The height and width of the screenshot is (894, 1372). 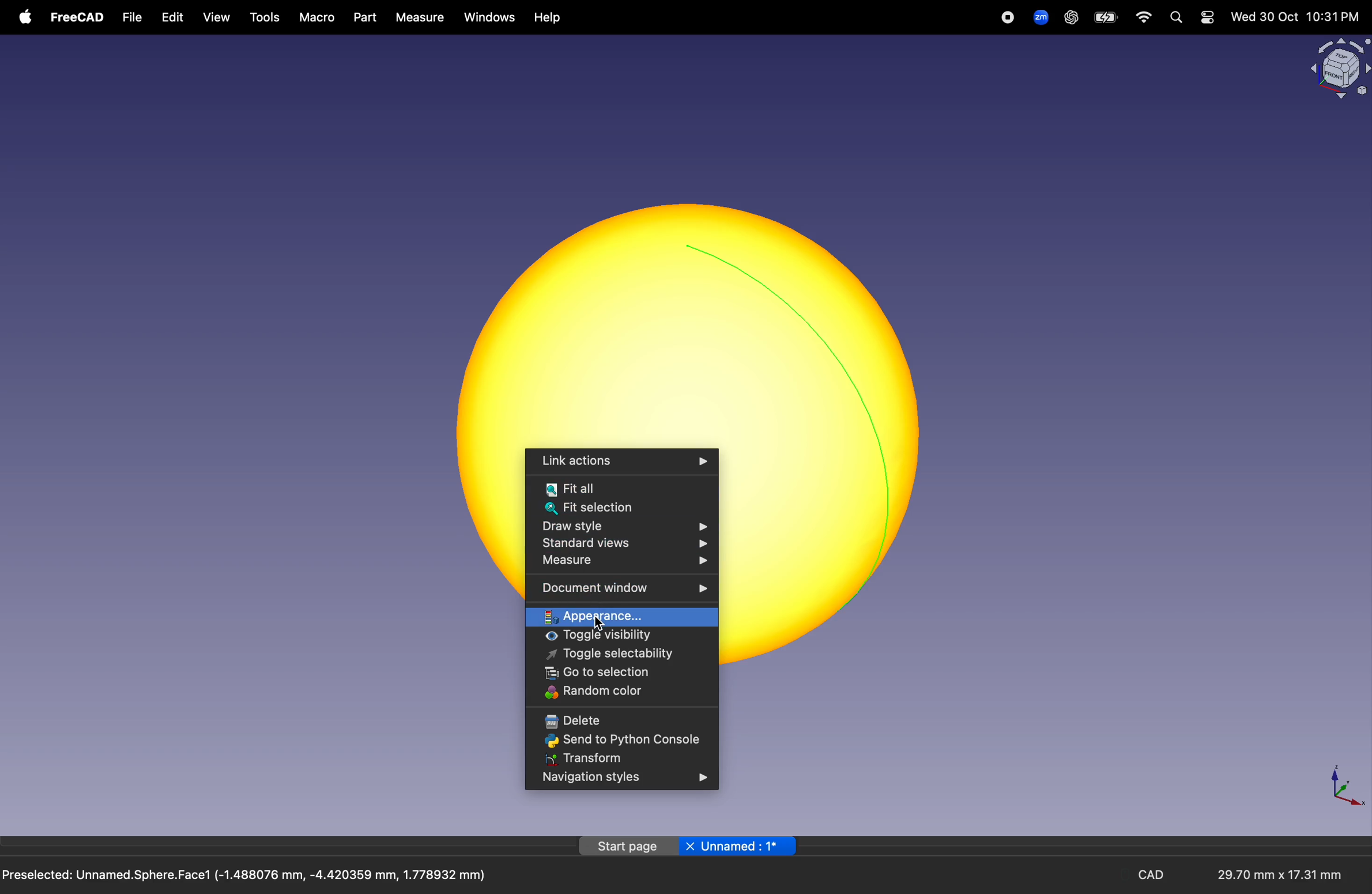 I want to click on fit selections, so click(x=621, y=509).